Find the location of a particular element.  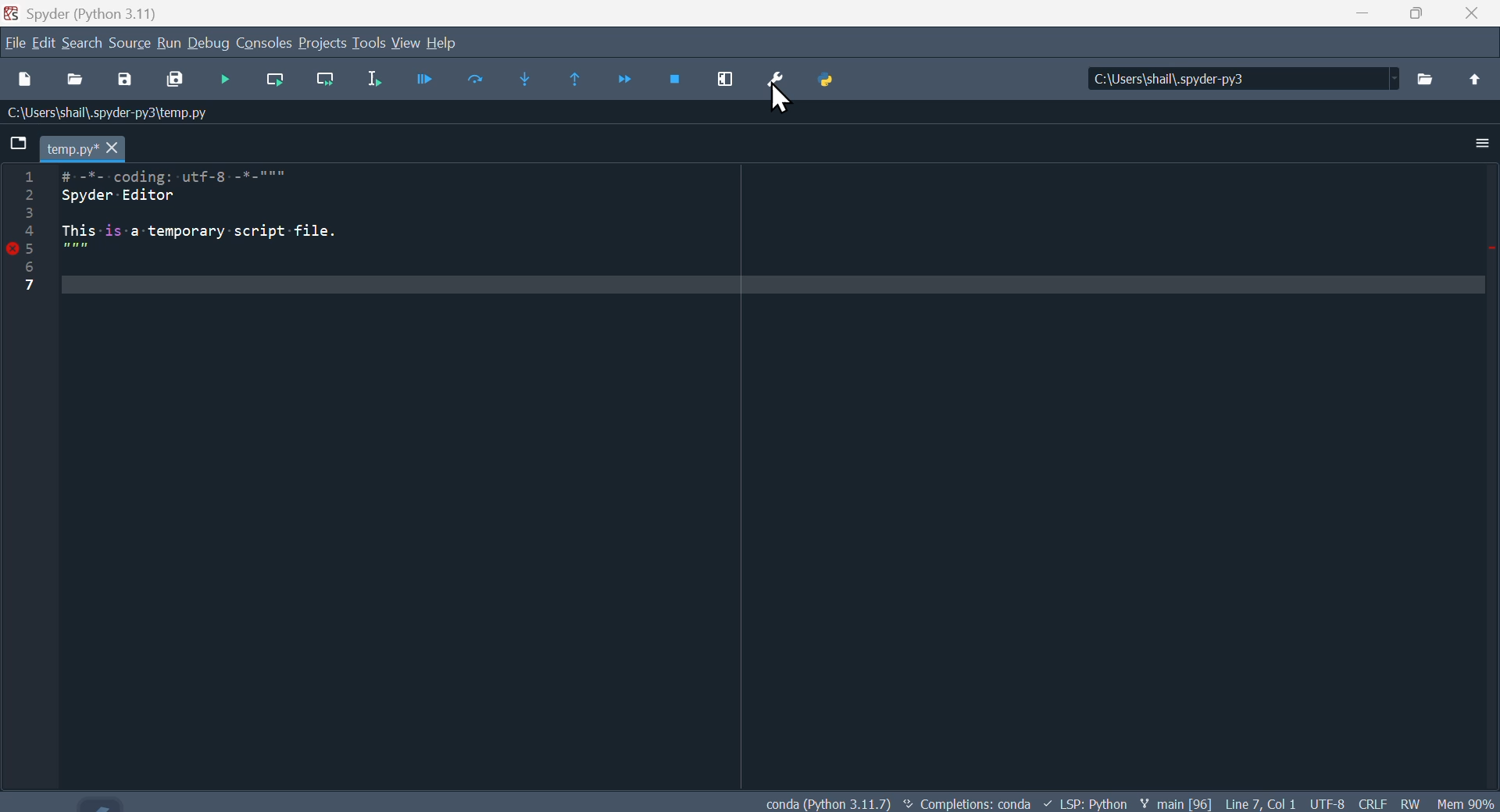

Debug file is located at coordinates (223, 80).